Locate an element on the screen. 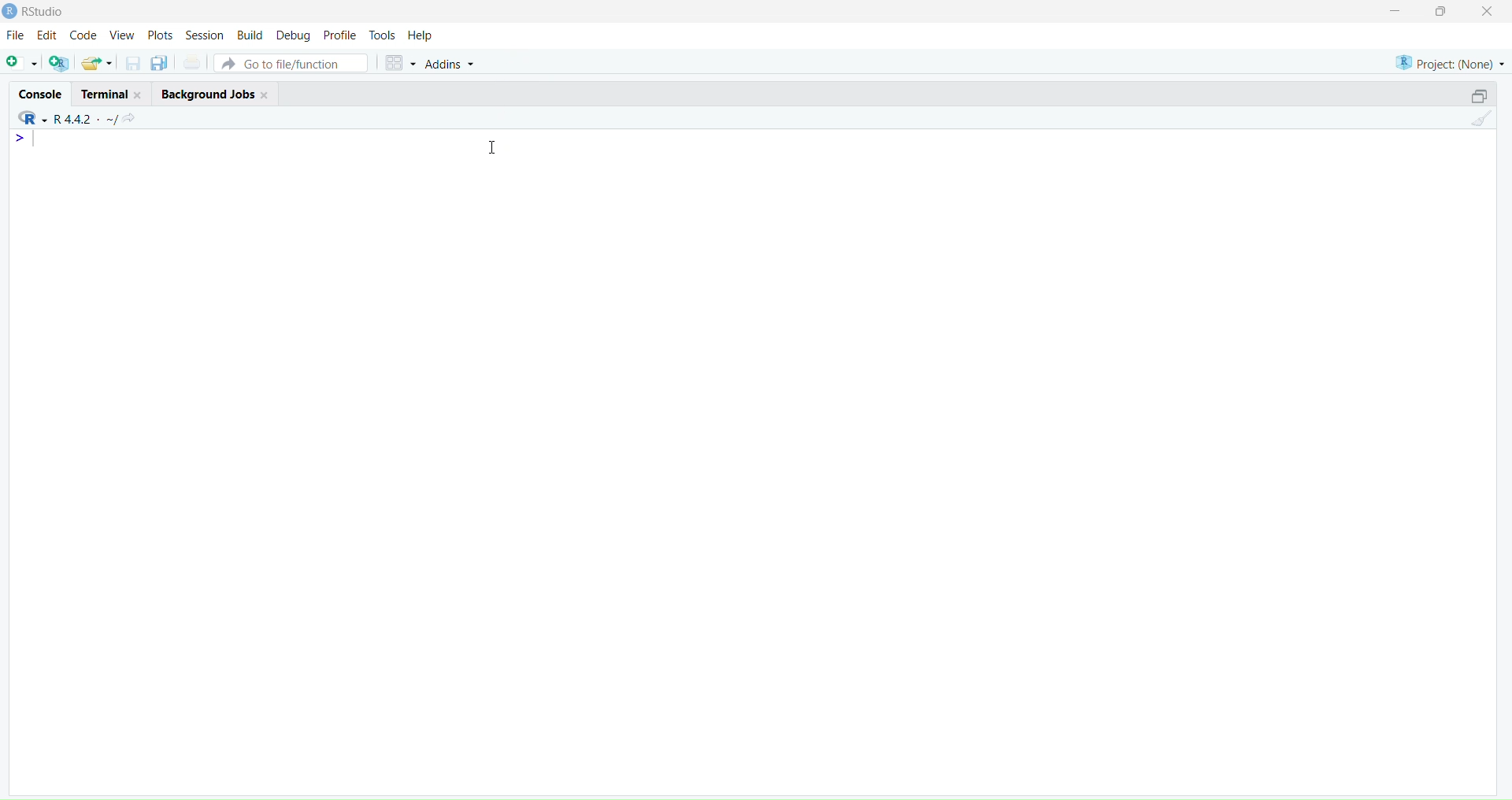  new script is located at coordinates (23, 63).